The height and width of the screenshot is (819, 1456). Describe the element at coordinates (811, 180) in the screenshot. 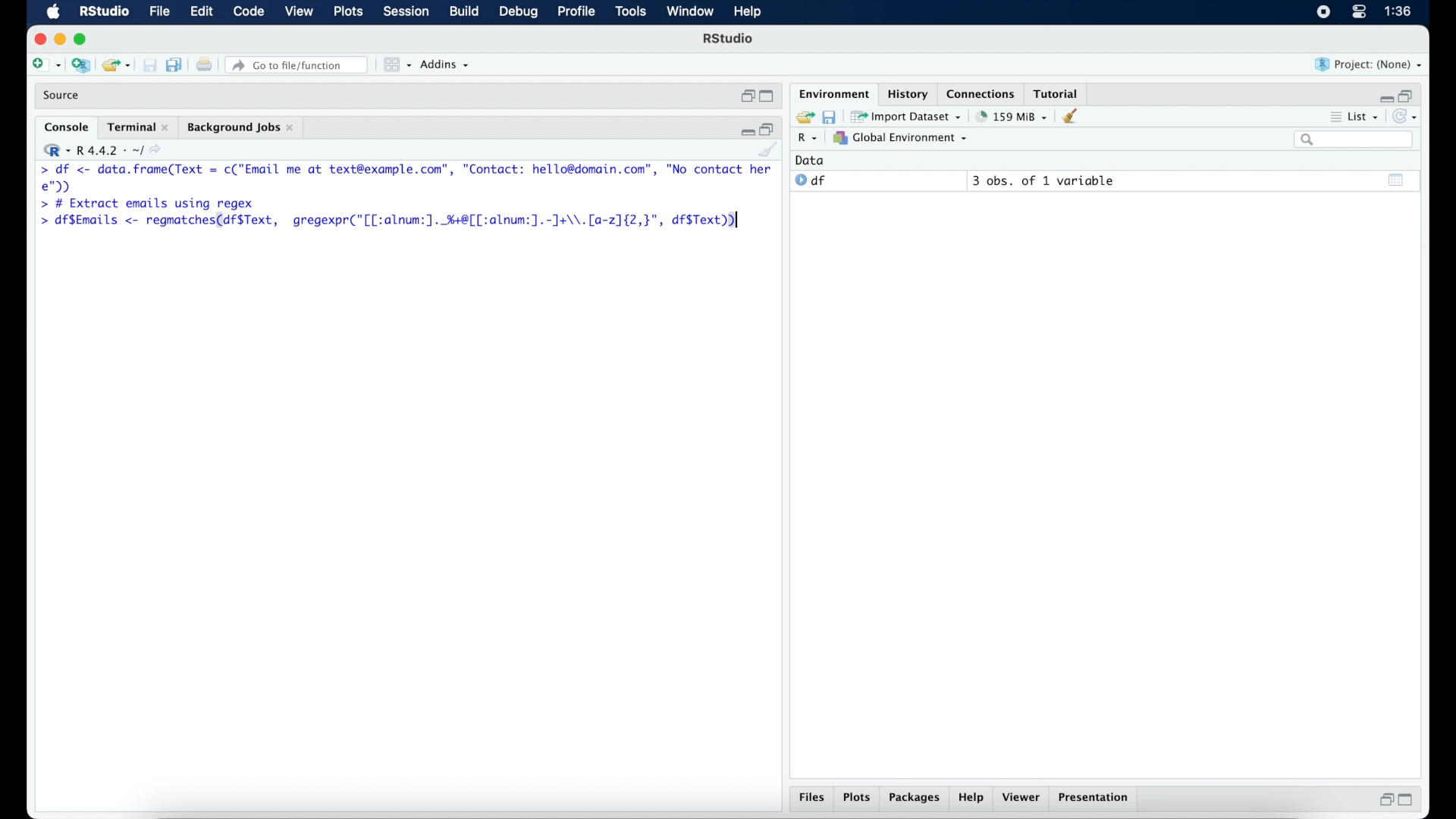

I see `df` at that location.